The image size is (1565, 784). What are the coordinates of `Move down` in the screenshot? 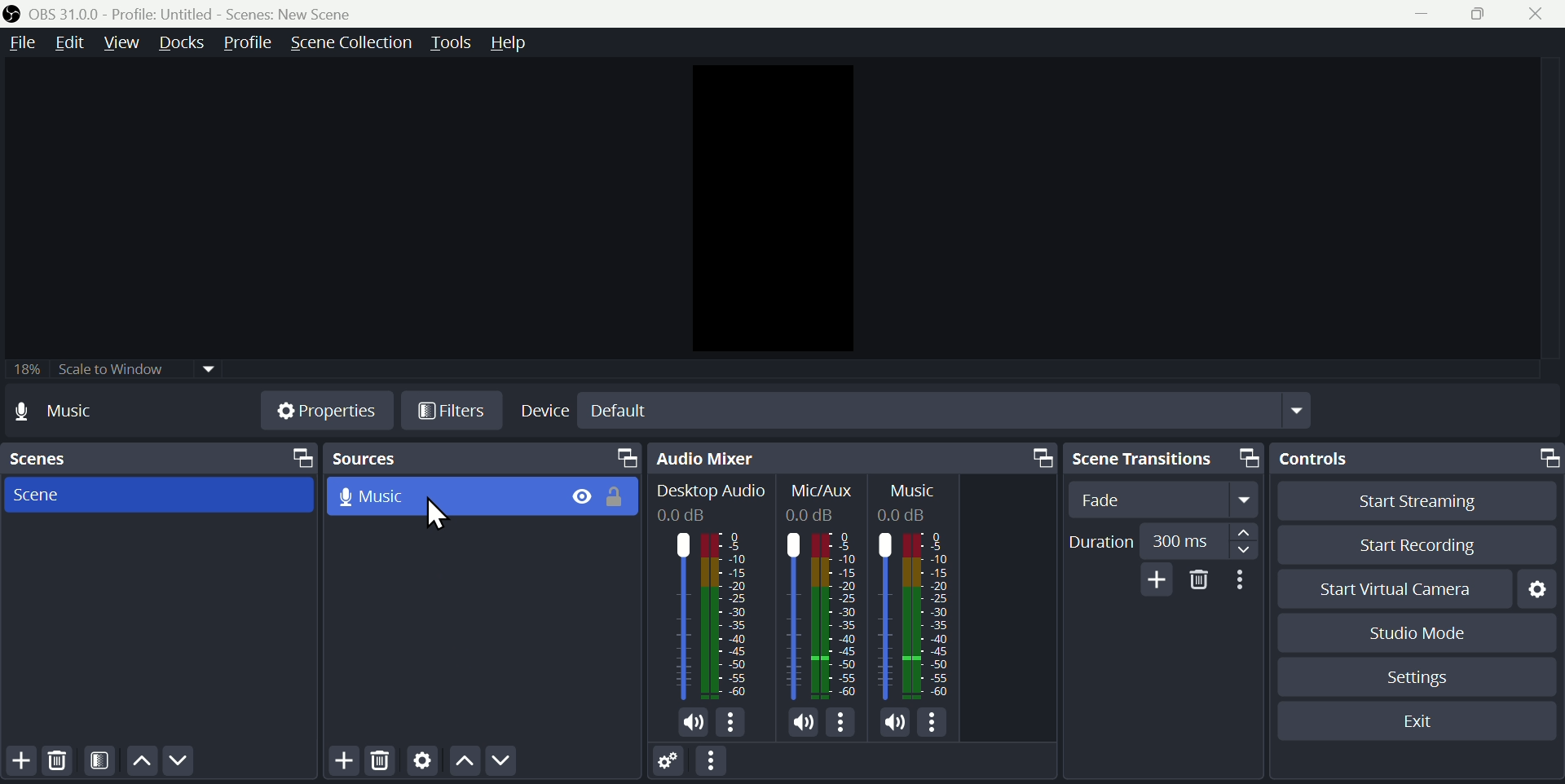 It's located at (181, 762).